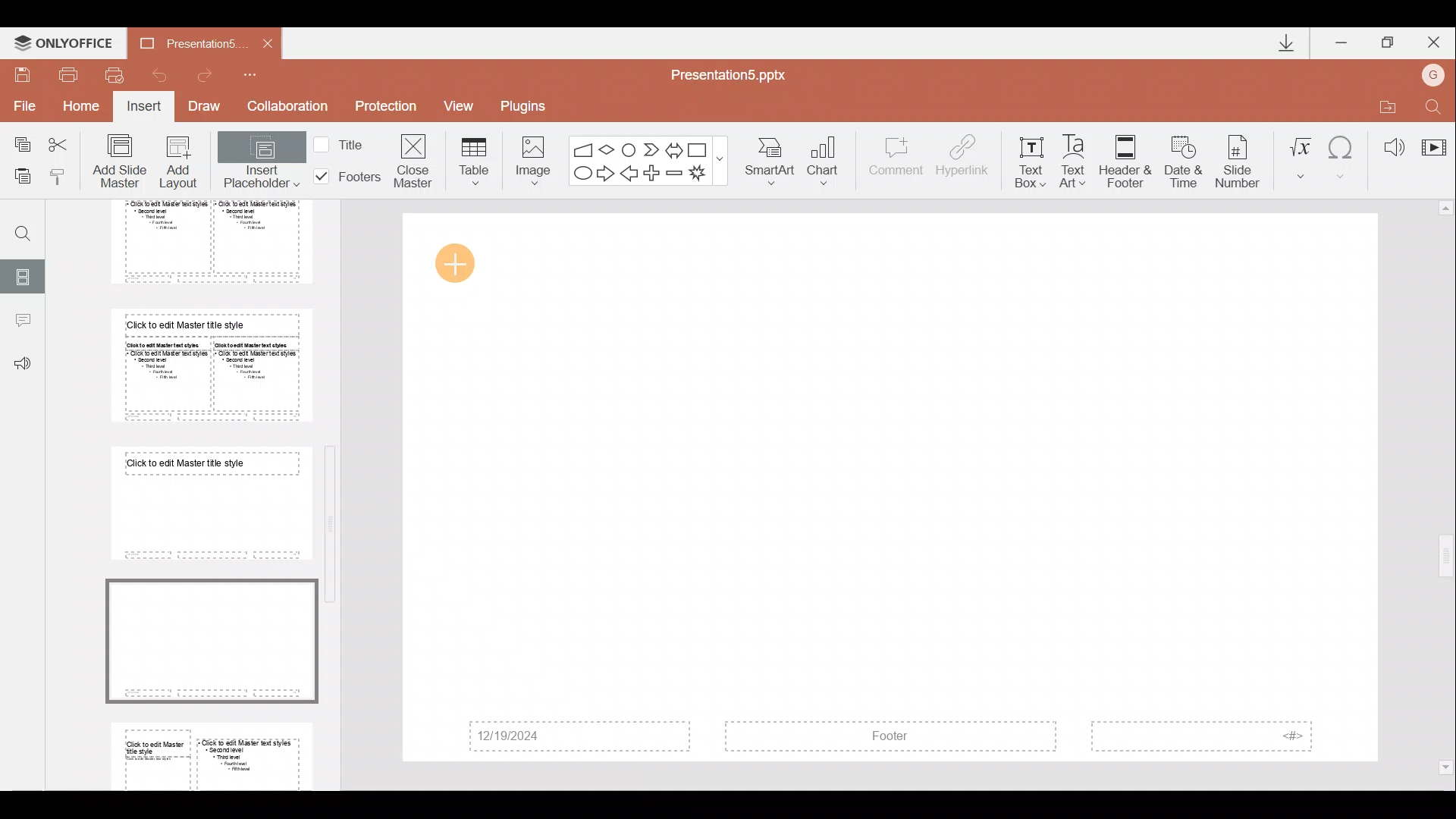 The width and height of the screenshot is (1456, 819). I want to click on Protection, so click(385, 108).